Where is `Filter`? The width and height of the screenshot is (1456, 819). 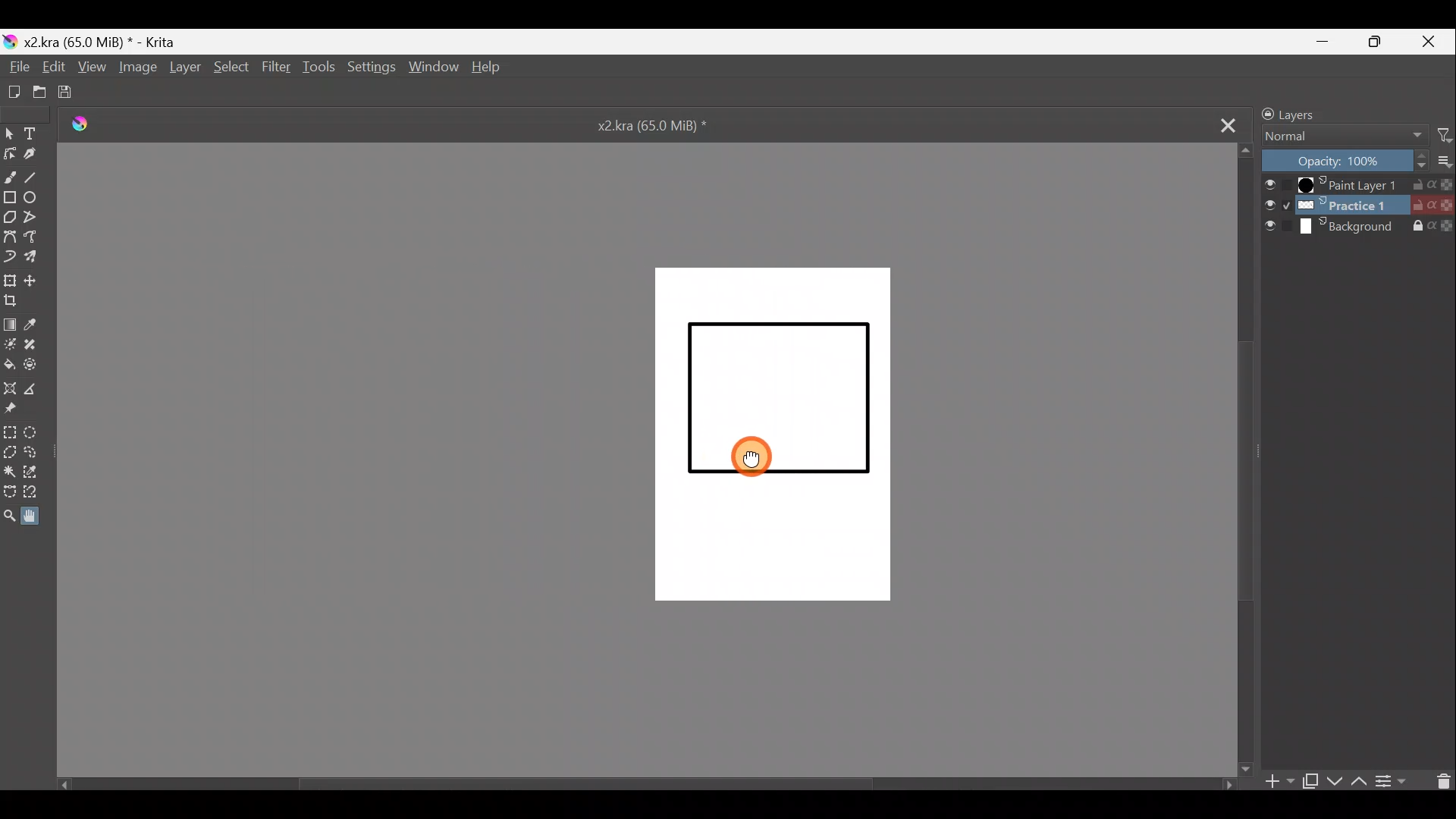 Filter is located at coordinates (275, 68).